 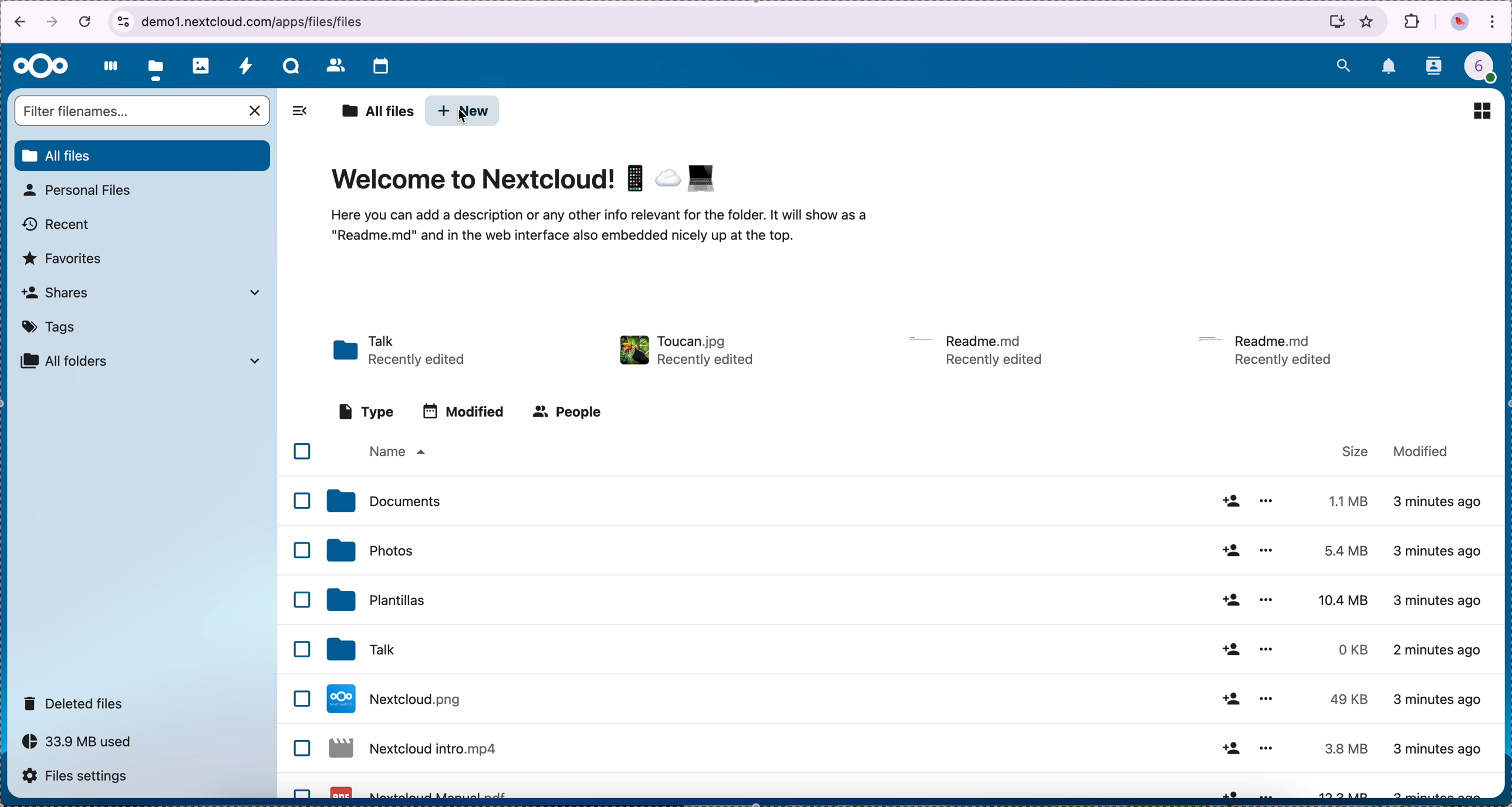 I want to click on deleted files, so click(x=76, y=703).